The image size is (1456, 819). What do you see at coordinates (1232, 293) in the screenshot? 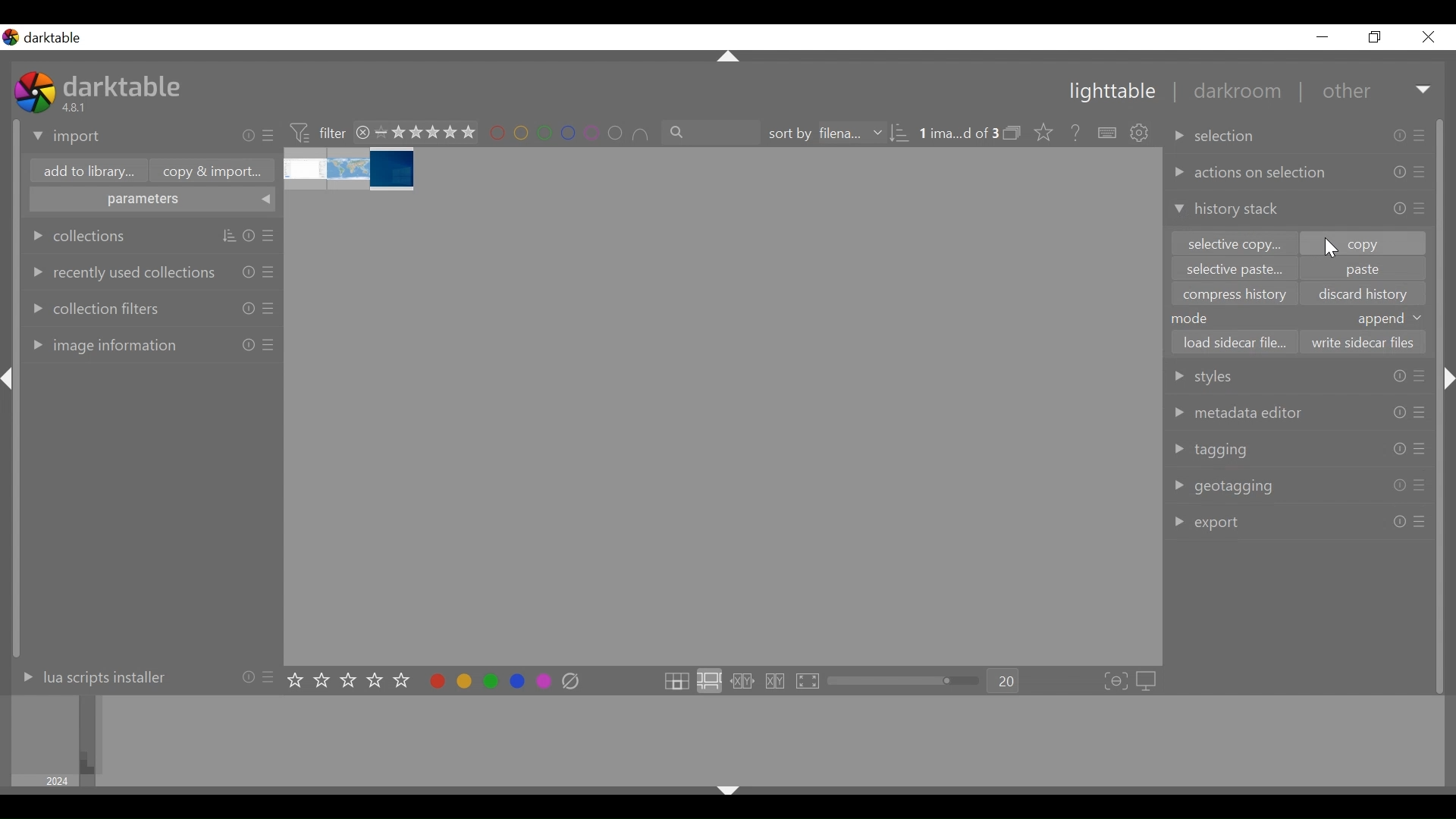
I see `compress history` at bounding box center [1232, 293].